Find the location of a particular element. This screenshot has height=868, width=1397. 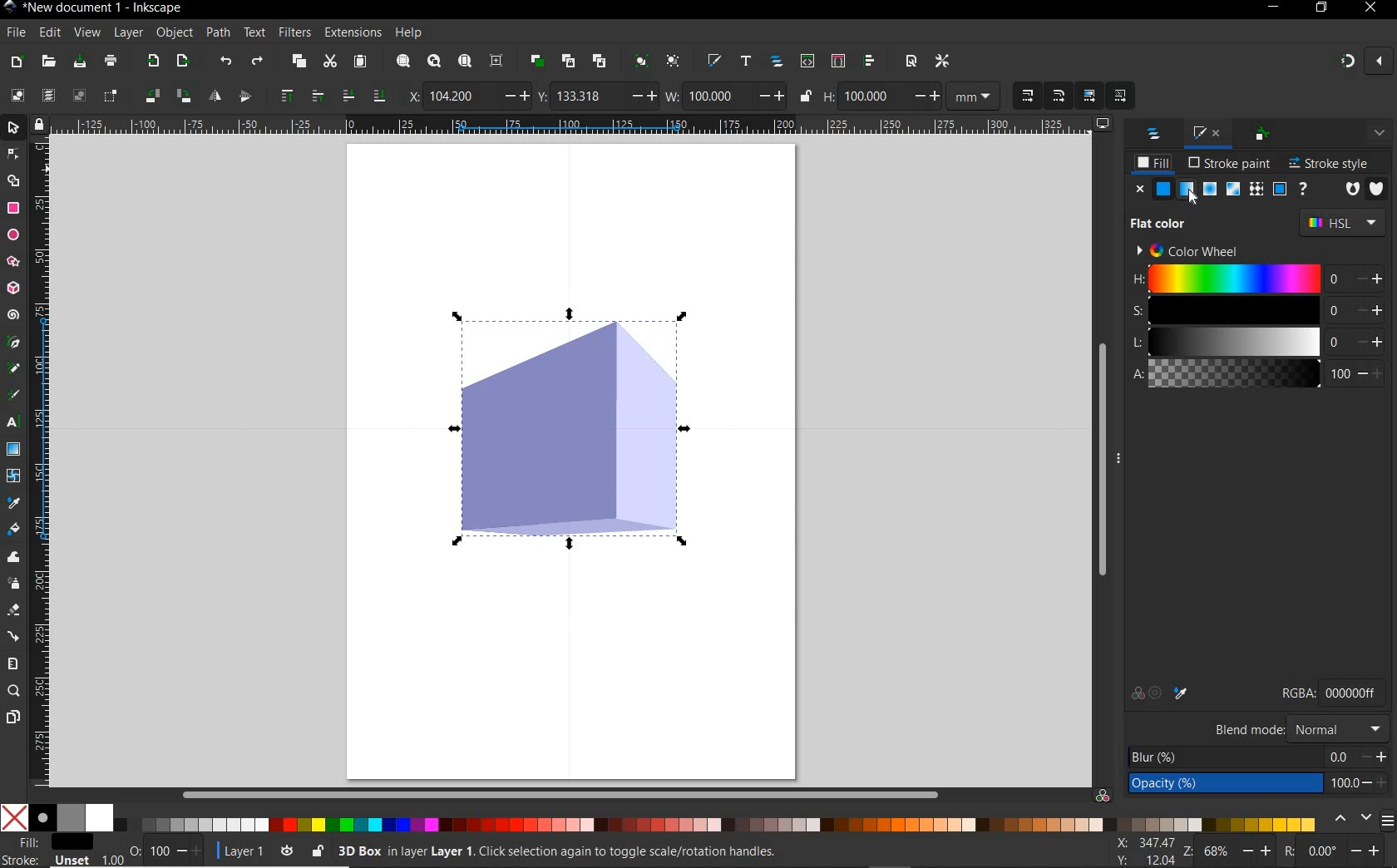

UNDO is located at coordinates (226, 62).